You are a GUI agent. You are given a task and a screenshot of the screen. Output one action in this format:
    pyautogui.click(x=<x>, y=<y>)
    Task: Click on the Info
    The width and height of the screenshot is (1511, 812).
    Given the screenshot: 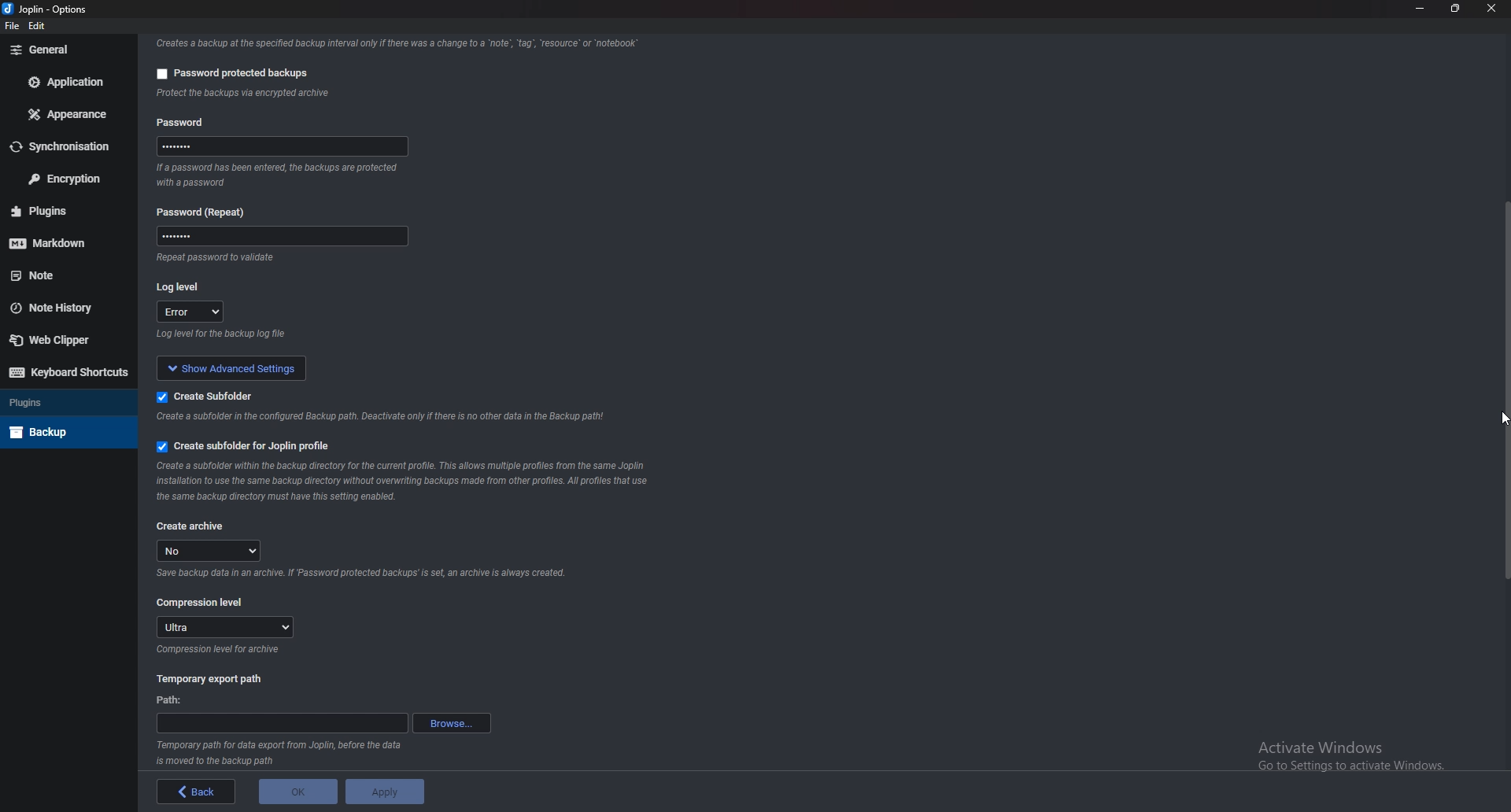 What is the action you would take?
    pyautogui.click(x=406, y=481)
    